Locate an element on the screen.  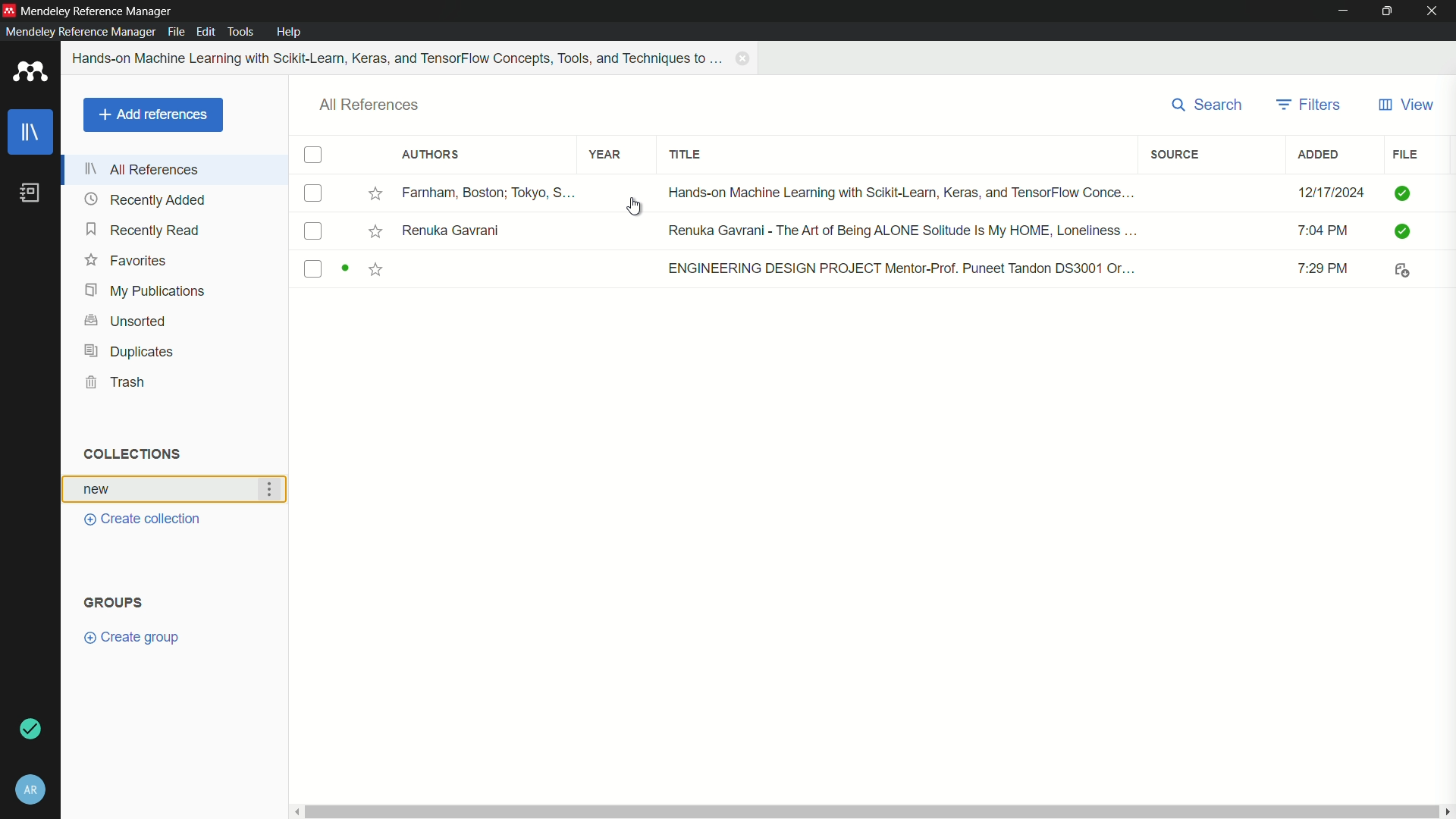
groups is located at coordinates (111, 603).